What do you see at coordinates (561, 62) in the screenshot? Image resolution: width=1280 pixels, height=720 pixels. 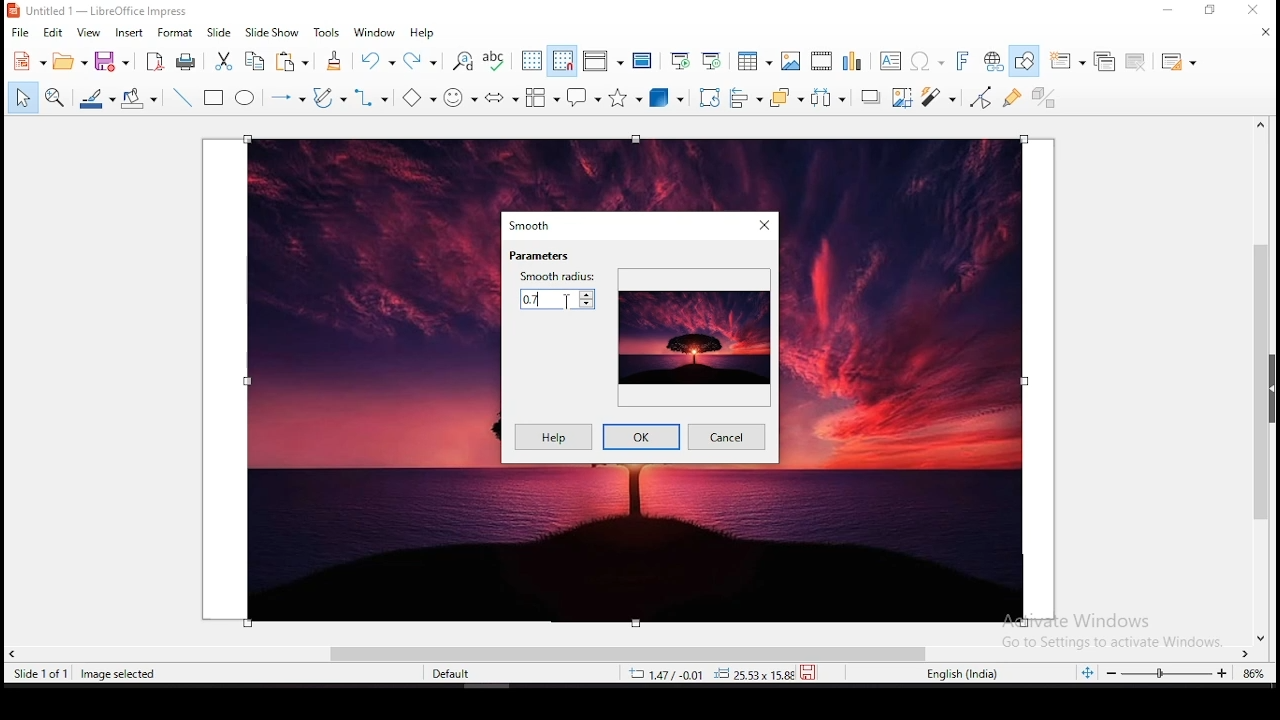 I see `snap to grid` at bounding box center [561, 62].